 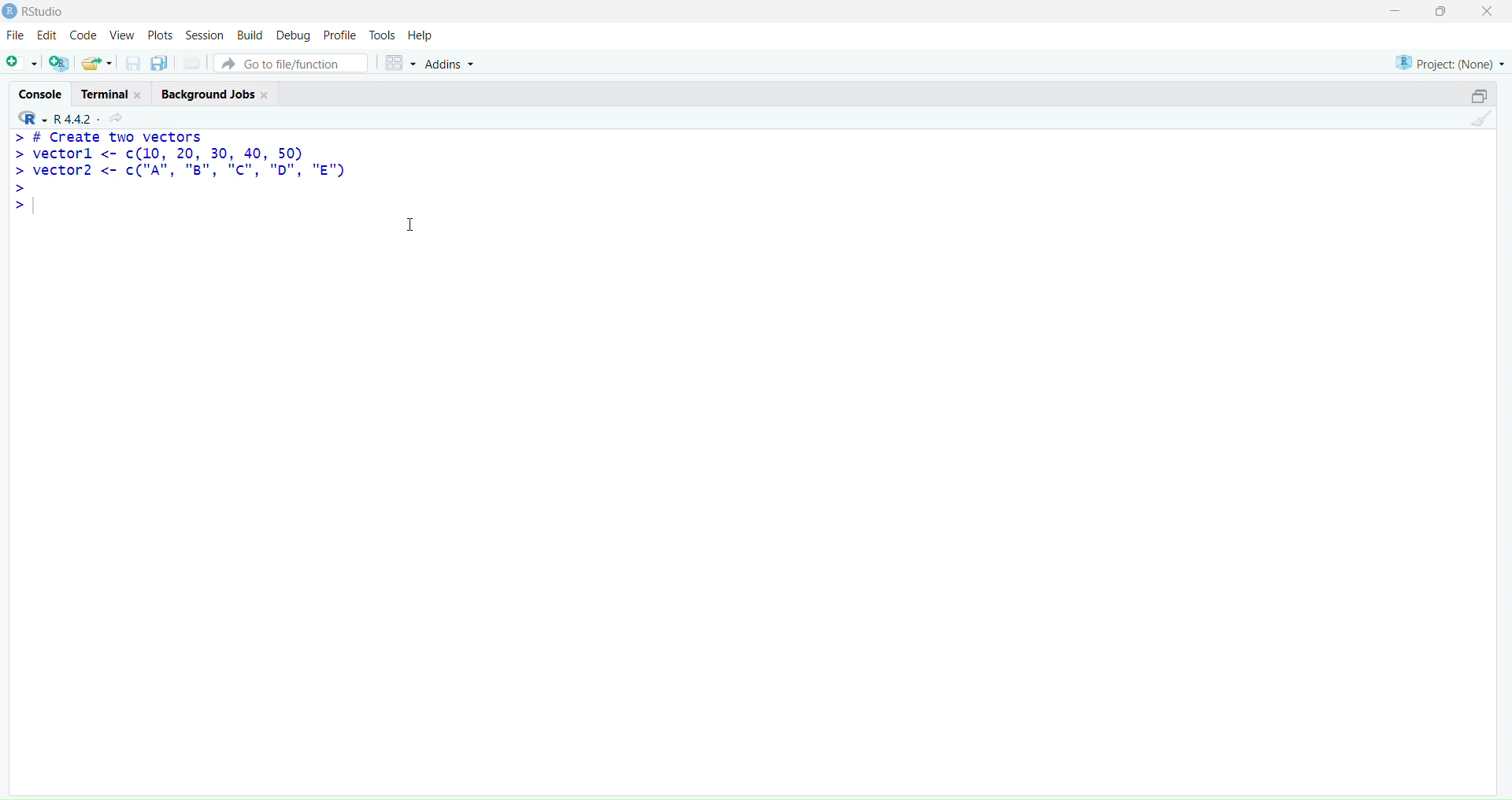 What do you see at coordinates (193, 62) in the screenshot?
I see `print the current file` at bounding box center [193, 62].